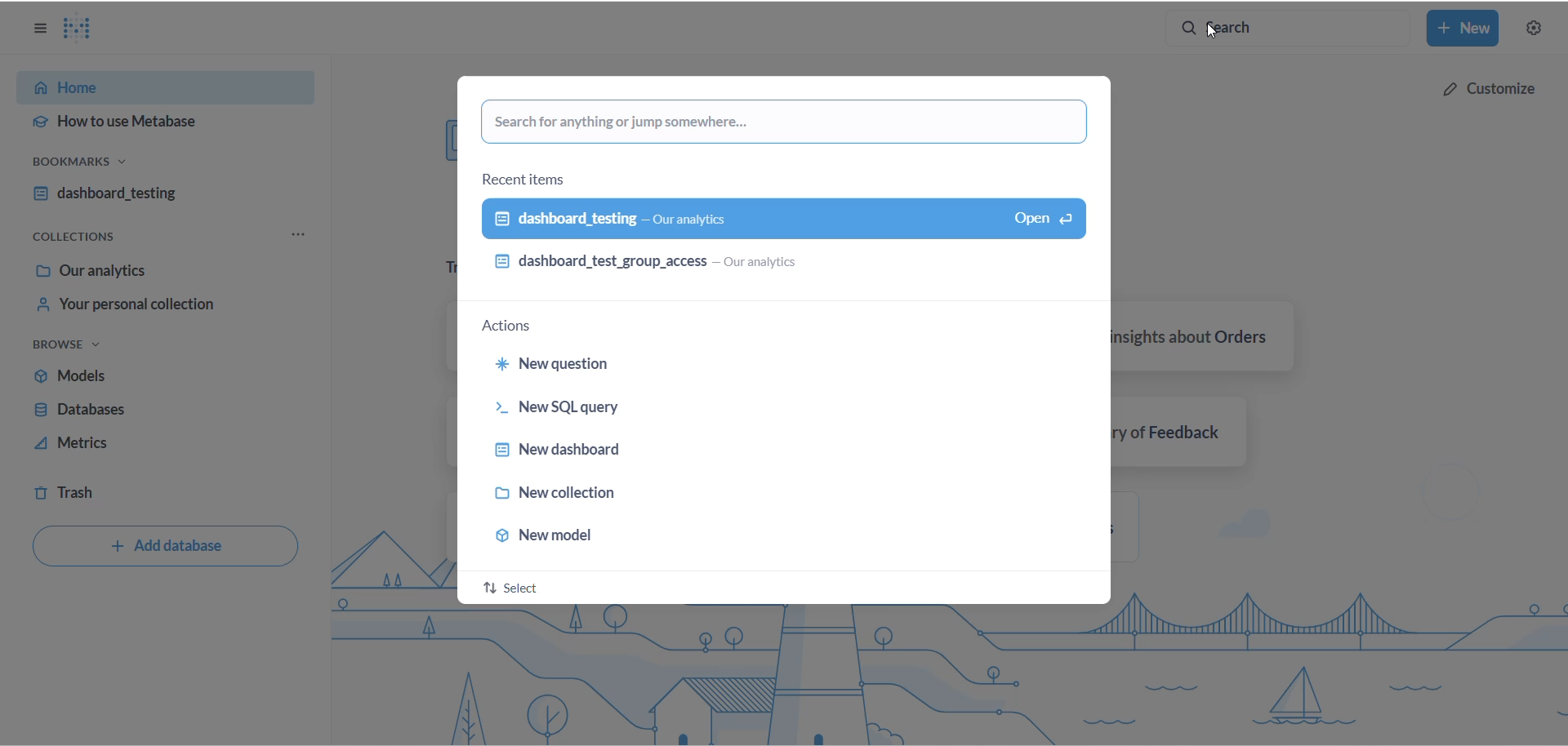 The image size is (1568, 746). What do you see at coordinates (1209, 337) in the screenshot?
I see `insights about orders` at bounding box center [1209, 337].